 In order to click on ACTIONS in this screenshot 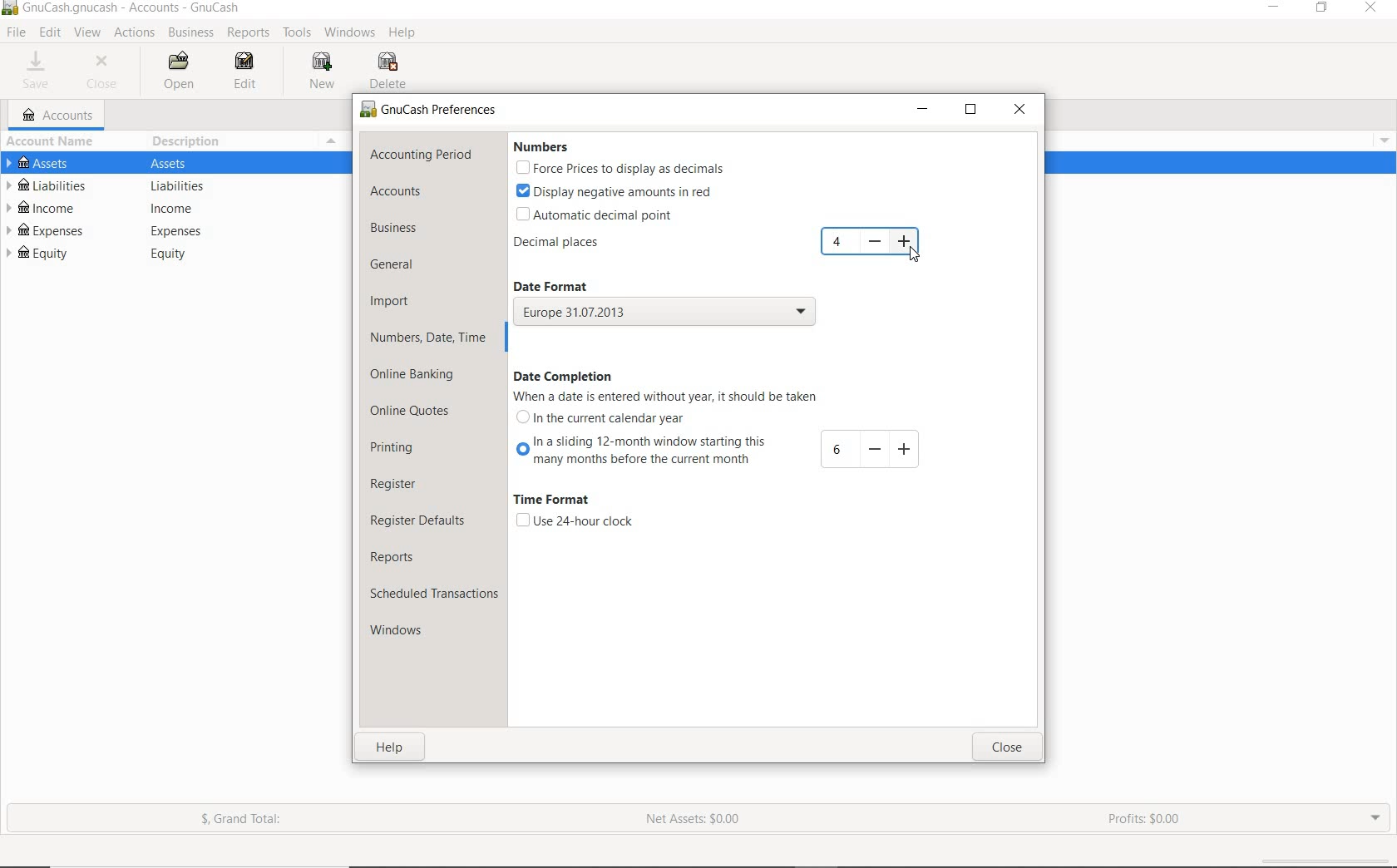, I will do `click(136, 32)`.